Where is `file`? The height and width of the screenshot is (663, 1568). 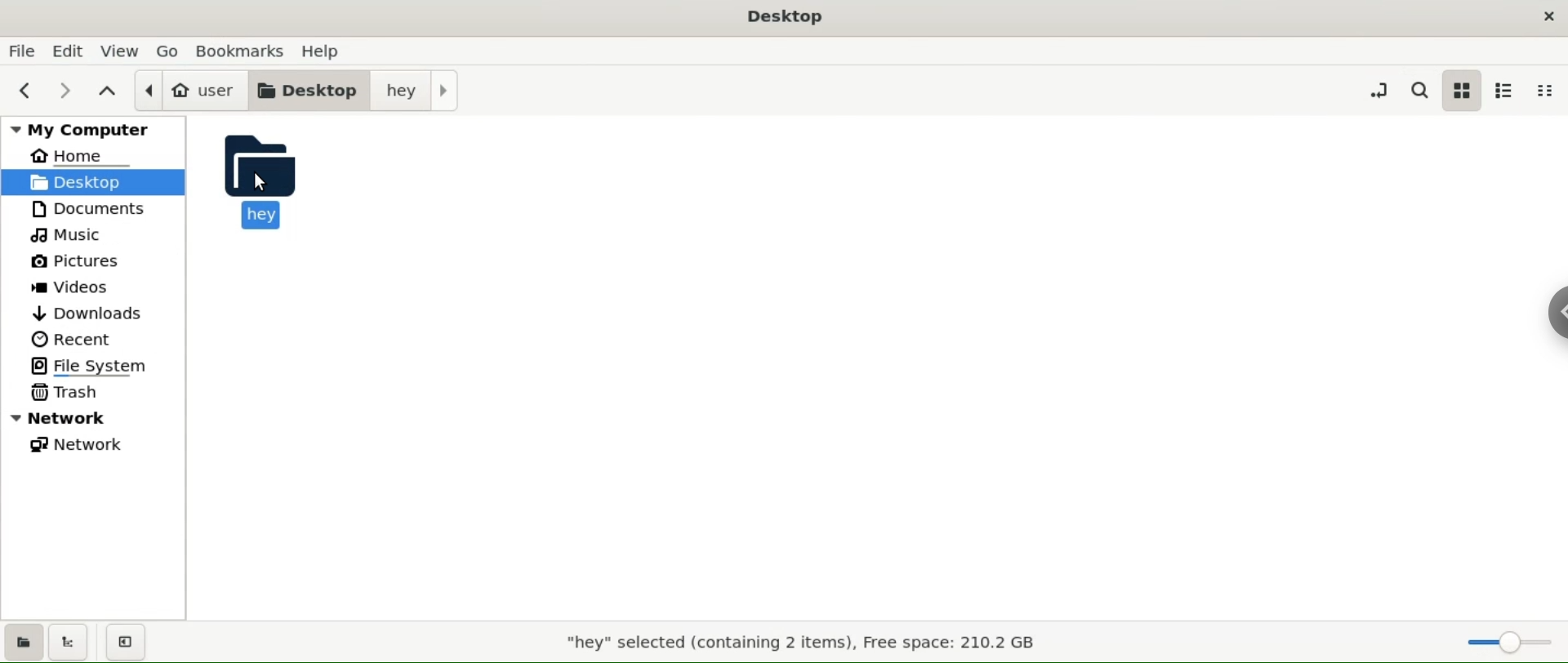
file is located at coordinates (21, 53).